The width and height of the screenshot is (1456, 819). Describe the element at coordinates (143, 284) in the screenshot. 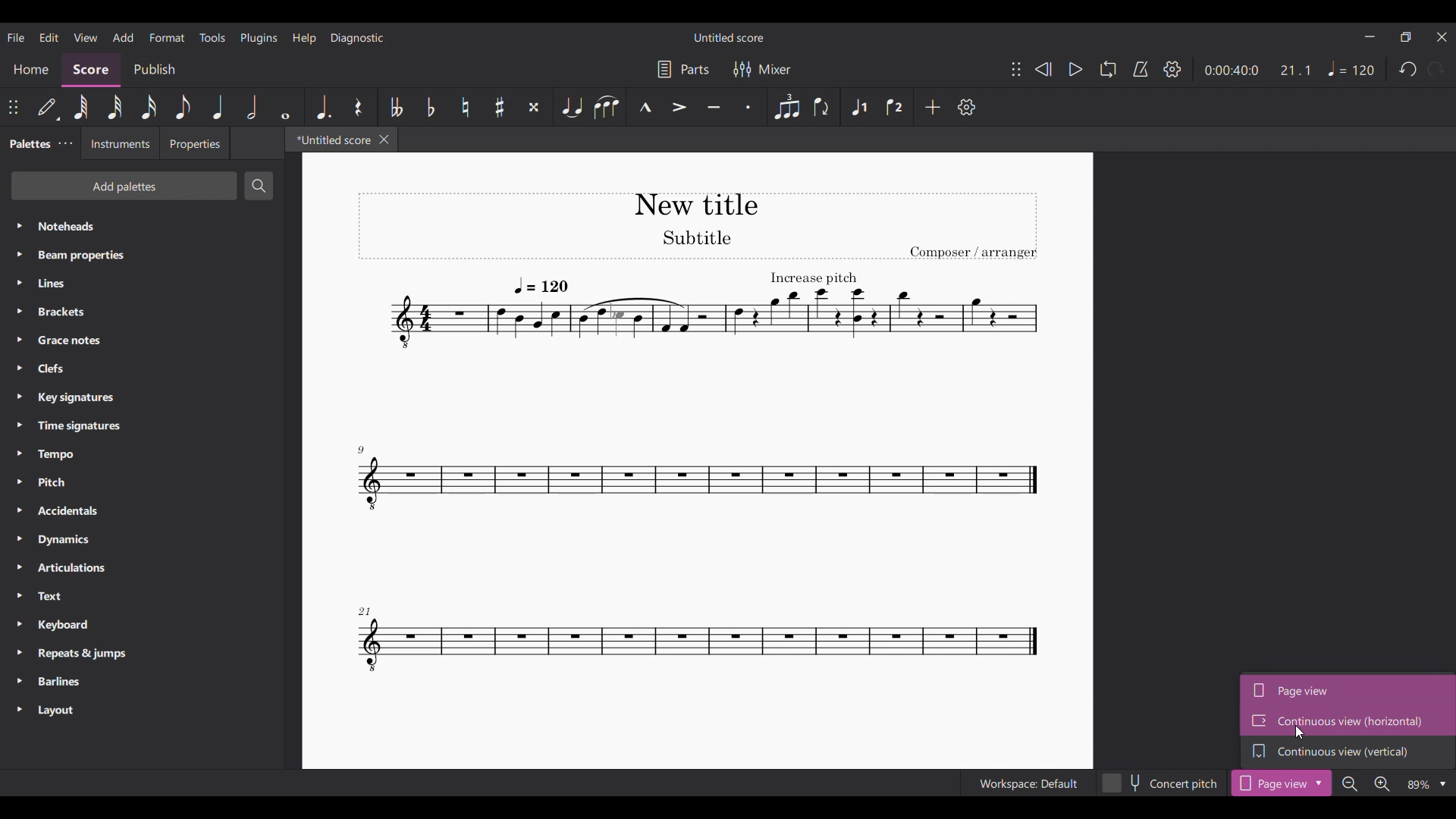

I see `Lines` at that location.